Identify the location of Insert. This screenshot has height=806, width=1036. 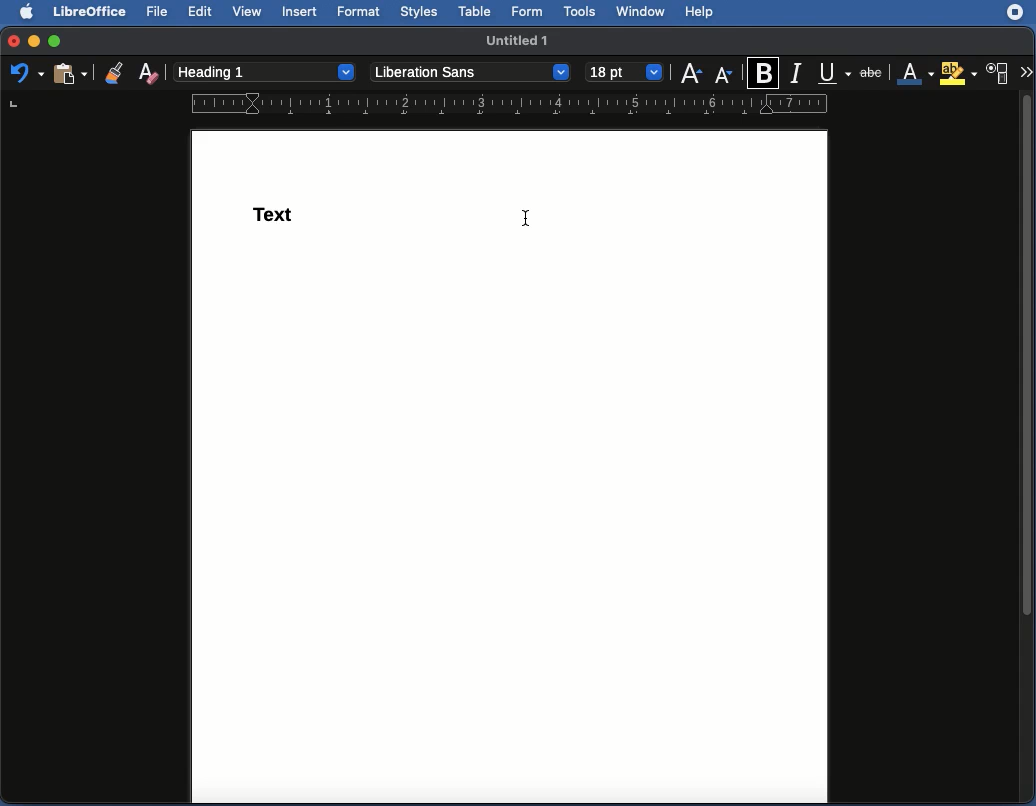
(301, 12).